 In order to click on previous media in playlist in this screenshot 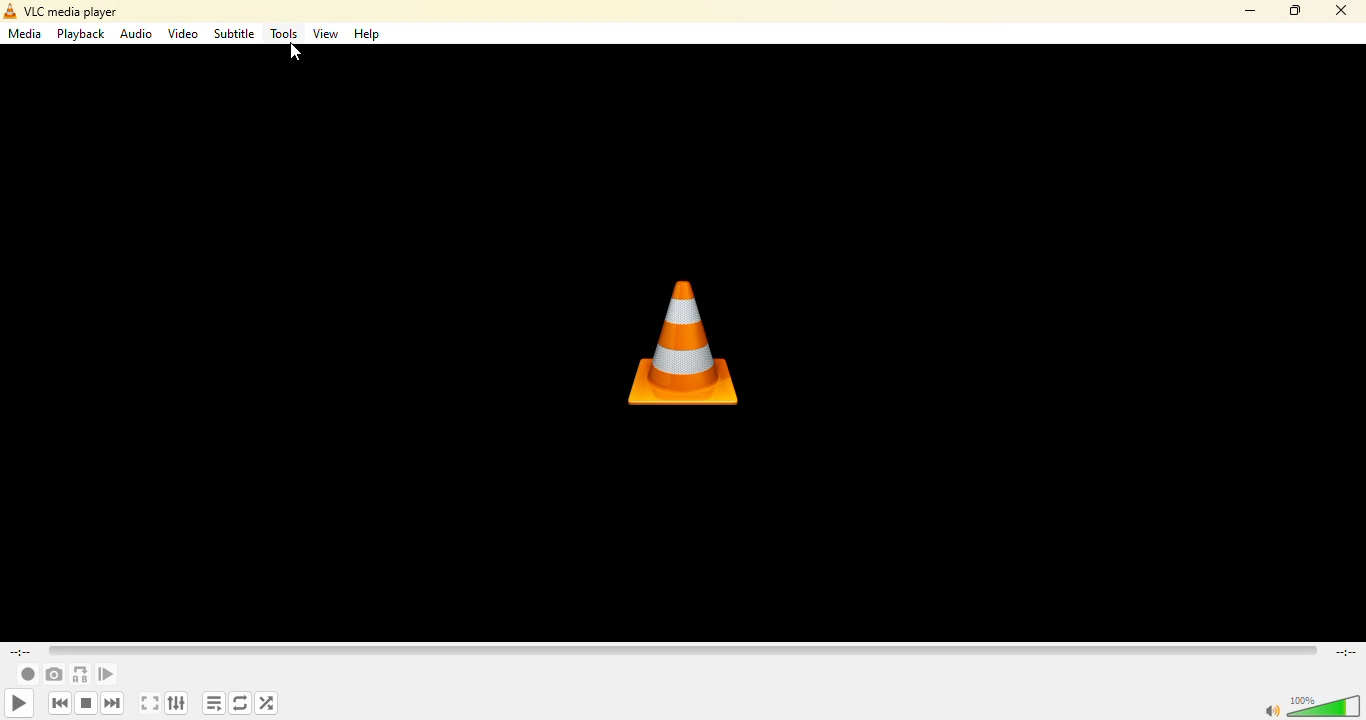, I will do `click(59, 703)`.